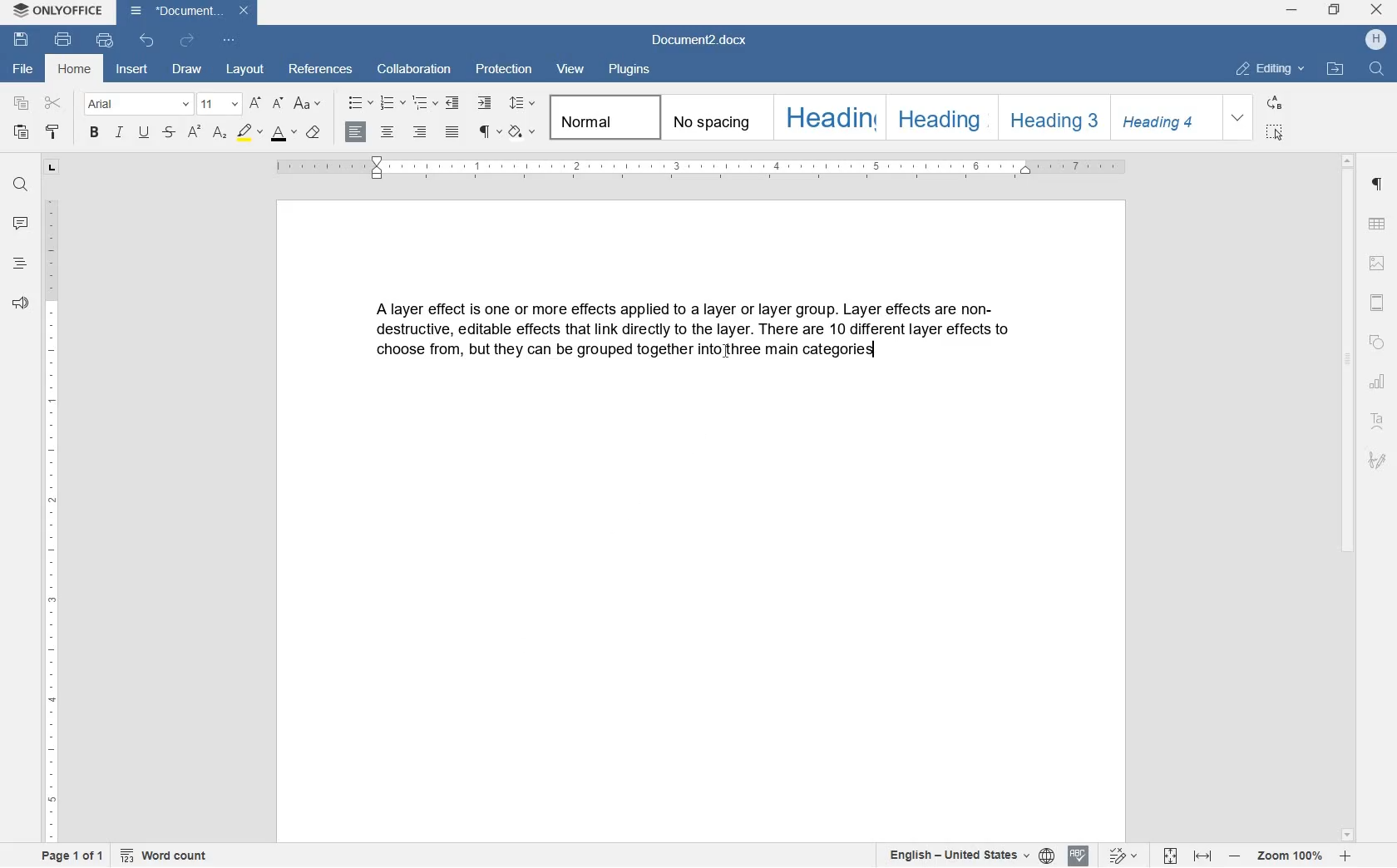 This screenshot has height=868, width=1397. What do you see at coordinates (105, 41) in the screenshot?
I see `quick print` at bounding box center [105, 41].